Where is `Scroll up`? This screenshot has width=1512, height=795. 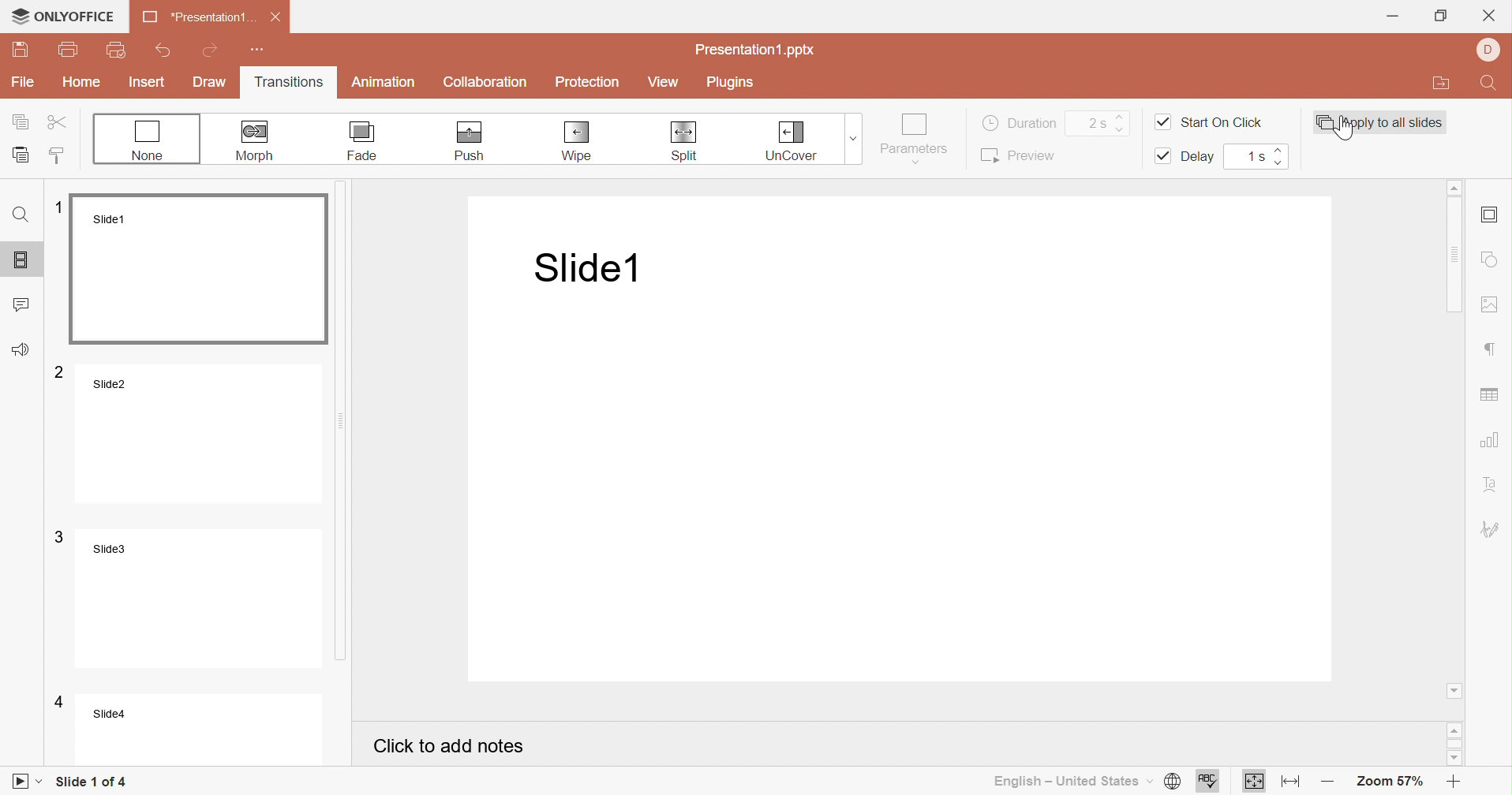 Scroll up is located at coordinates (1456, 731).